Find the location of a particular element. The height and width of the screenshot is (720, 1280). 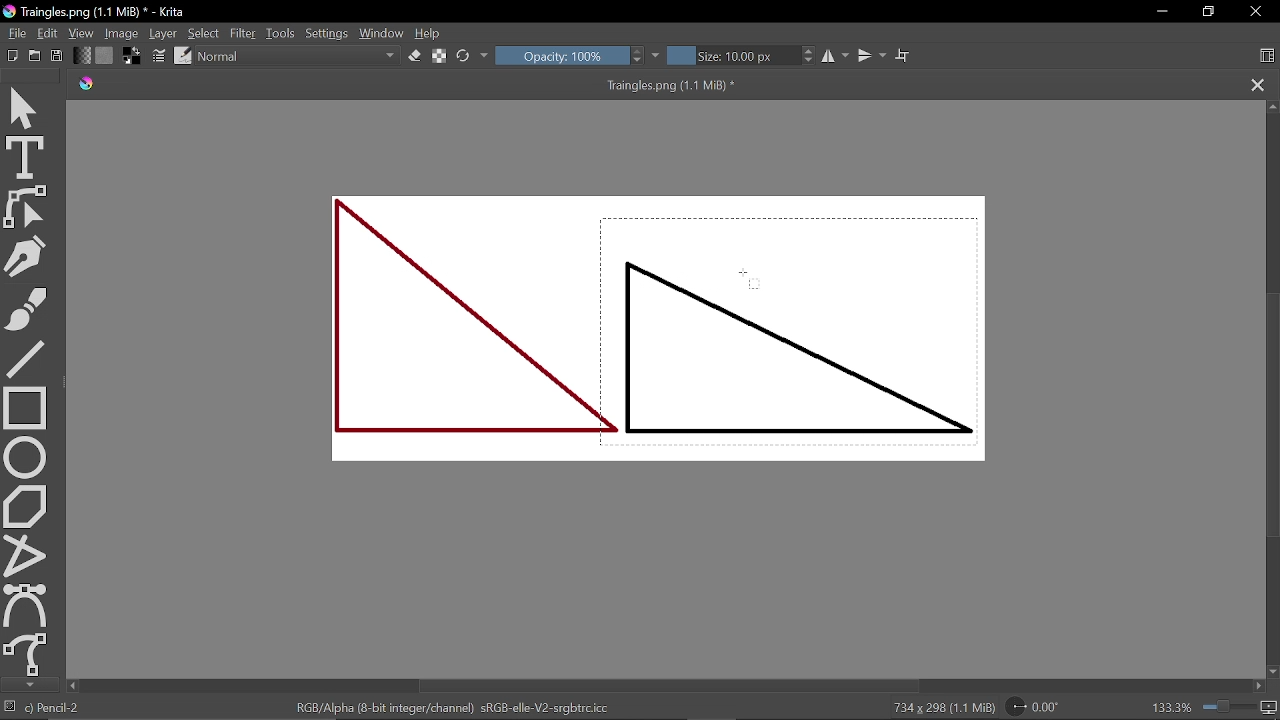

No selection is located at coordinates (12, 708).